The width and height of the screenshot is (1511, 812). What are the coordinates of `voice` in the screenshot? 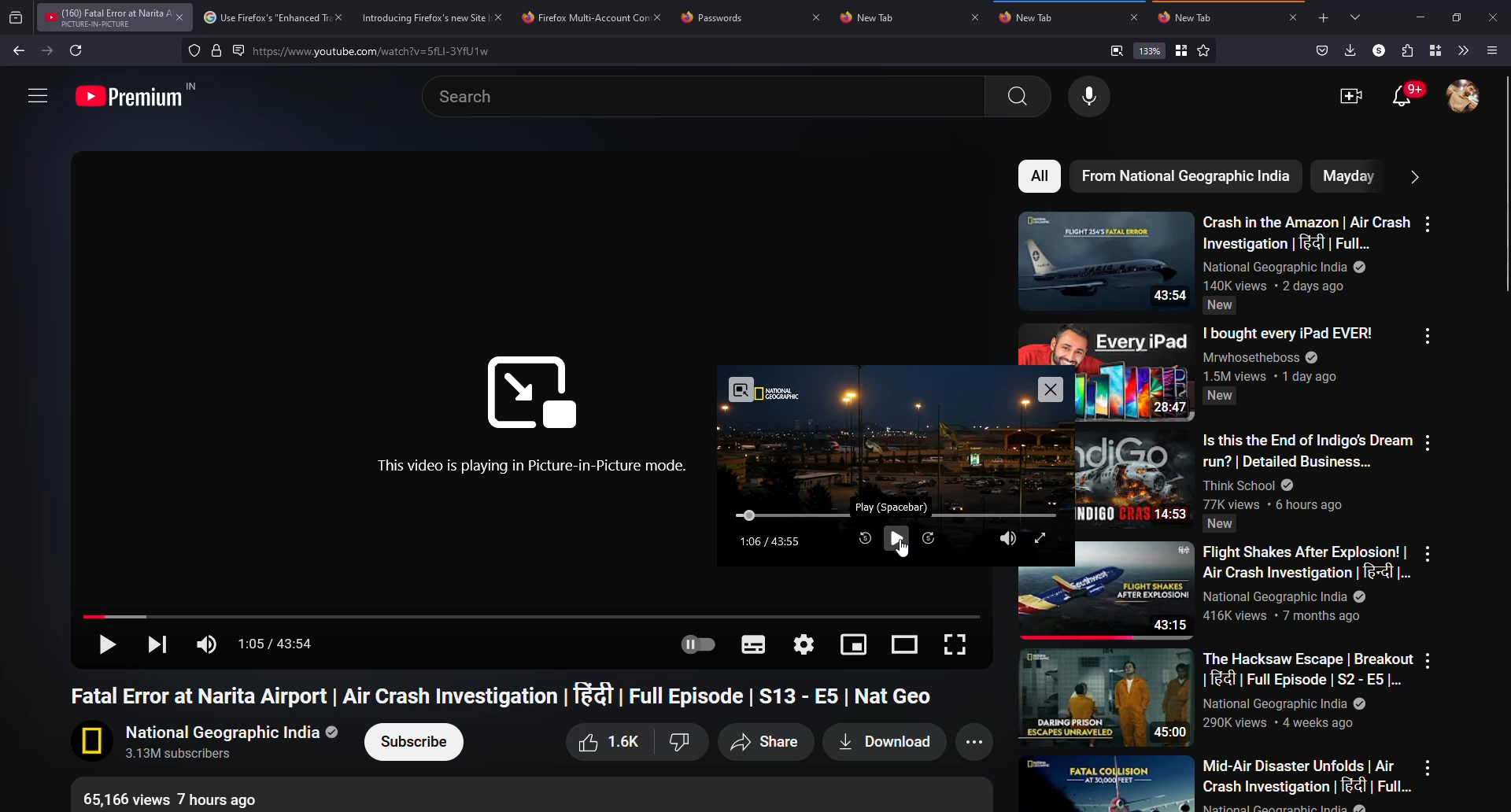 It's located at (1092, 97).